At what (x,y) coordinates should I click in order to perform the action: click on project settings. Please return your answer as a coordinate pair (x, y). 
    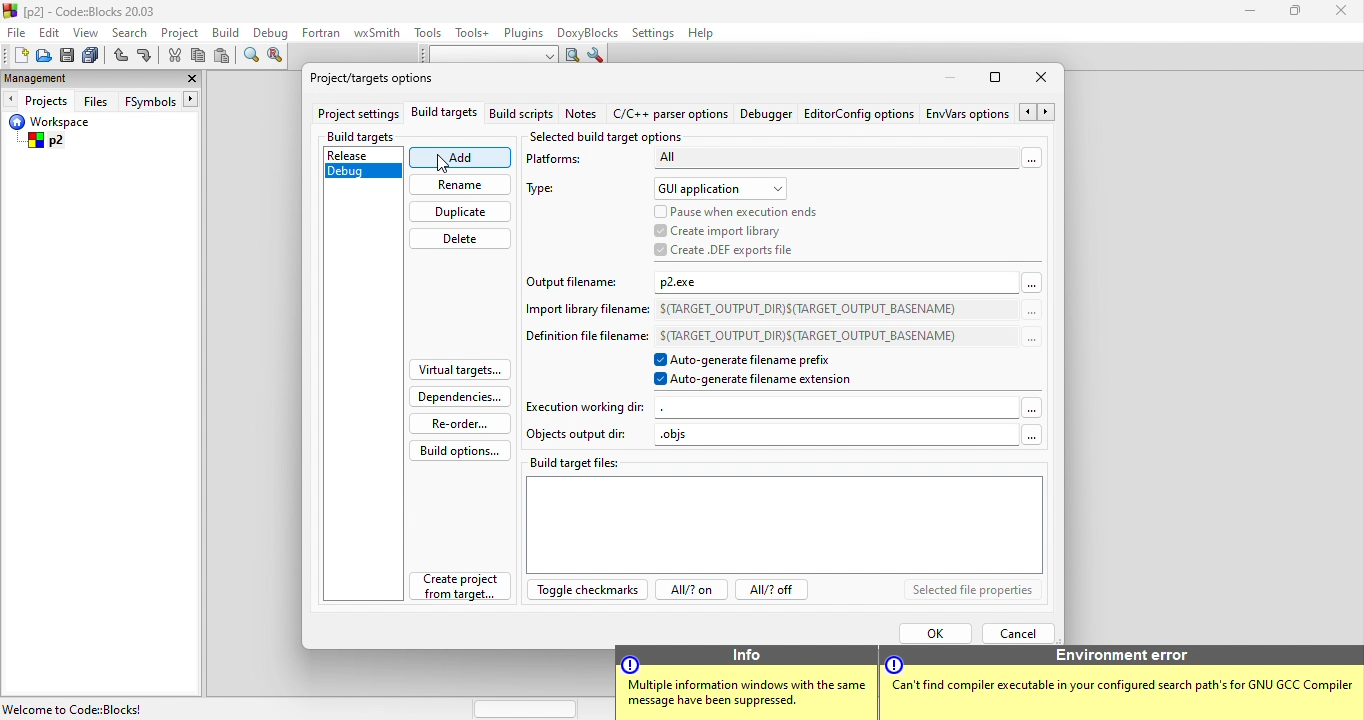
    Looking at the image, I should click on (357, 115).